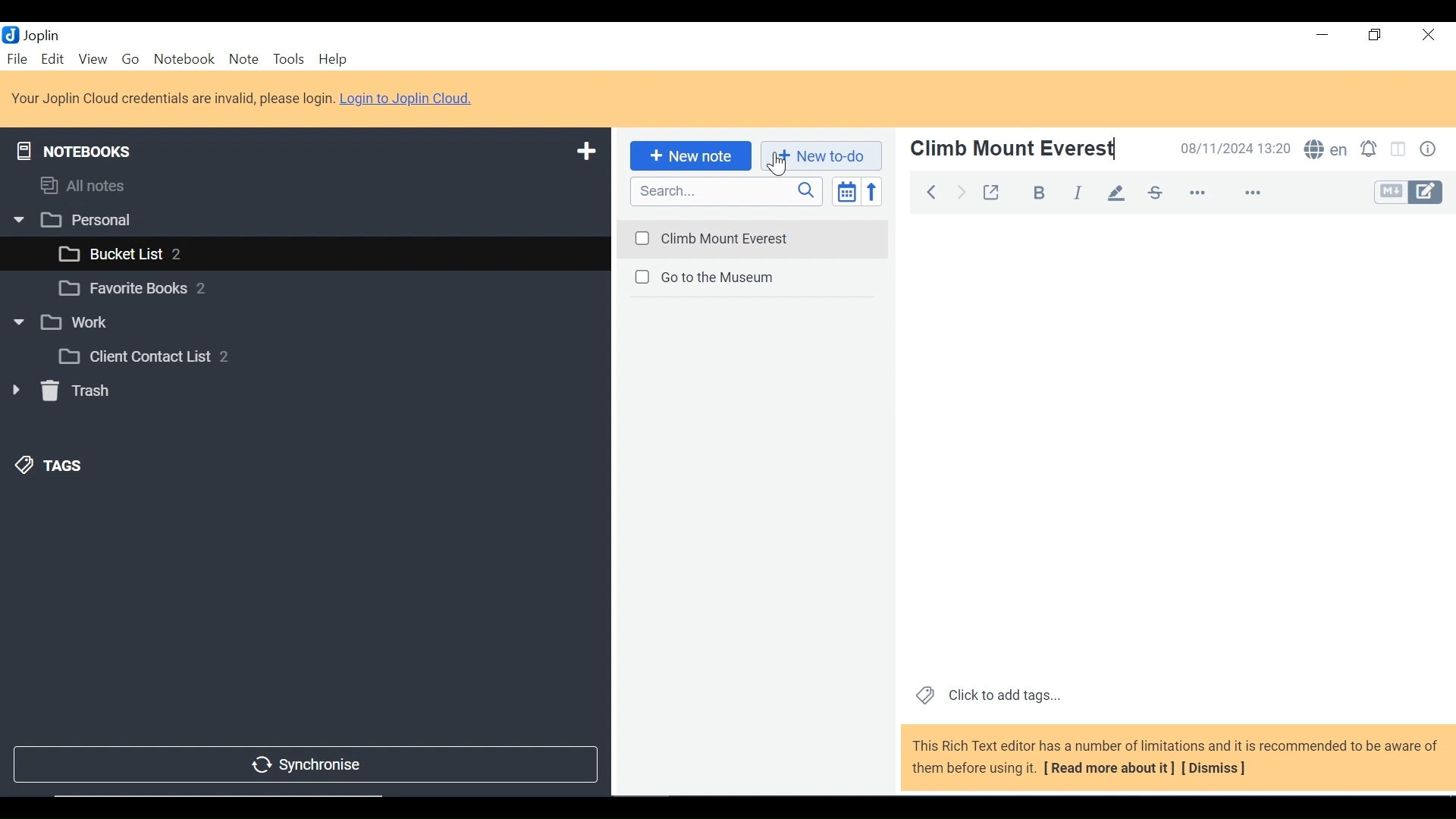 The width and height of the screenshot is (1456, 819). Describe the element at coordinates (1430, 149) in the screenshot. I see `Note Properties` at that location.